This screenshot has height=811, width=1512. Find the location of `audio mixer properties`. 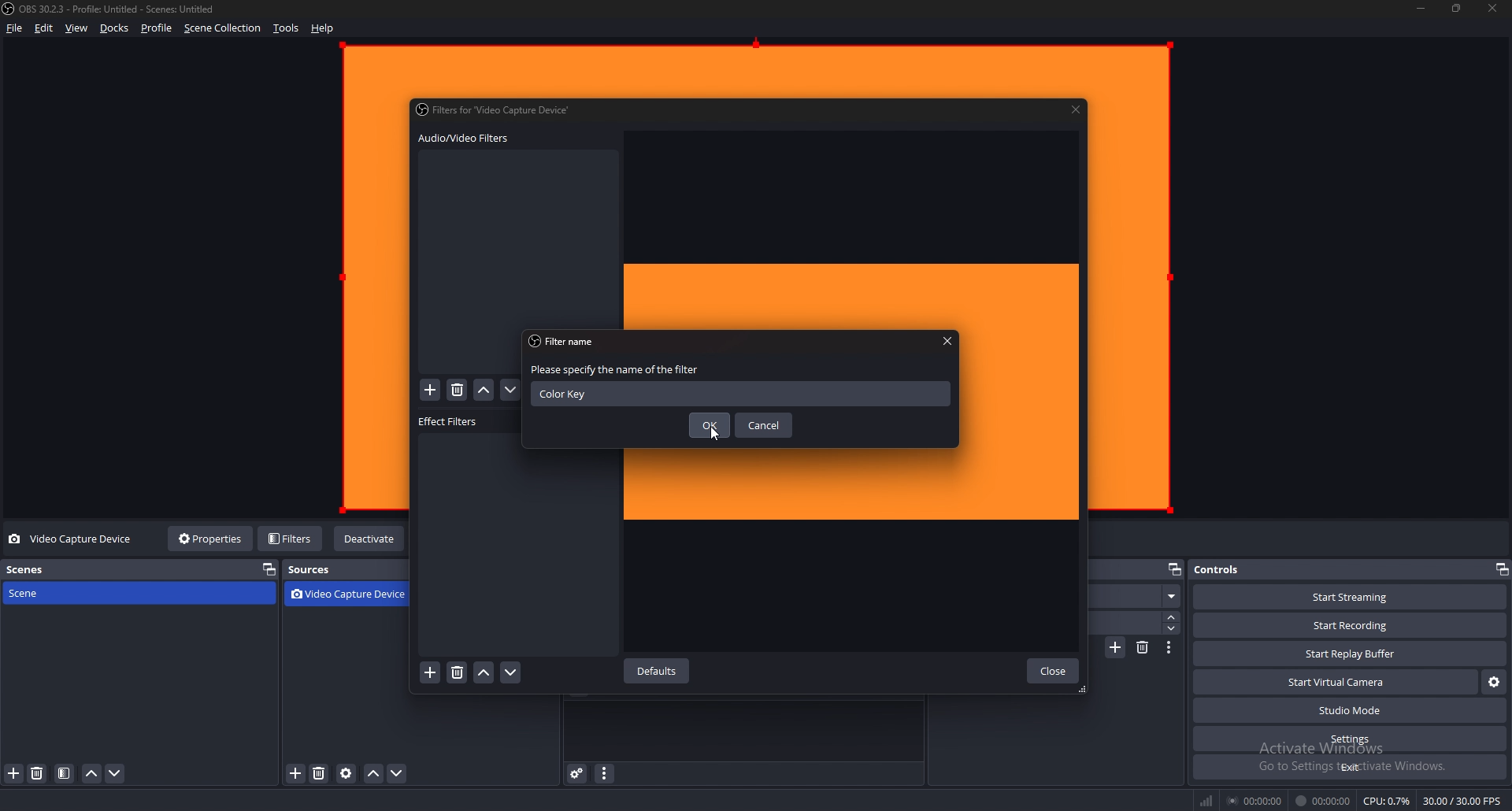

audio mixer properties is located at coordinates (603, 773).